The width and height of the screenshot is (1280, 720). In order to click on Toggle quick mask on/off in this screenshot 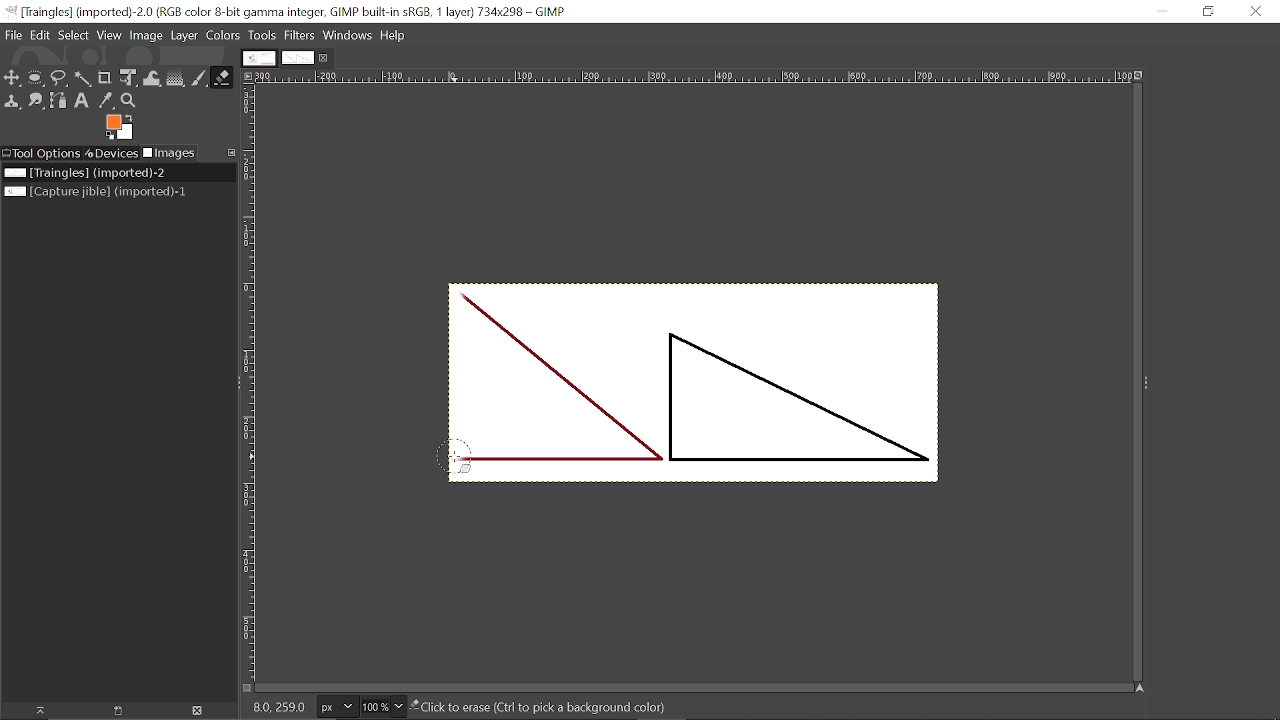, I will do `click(247, 688)`.